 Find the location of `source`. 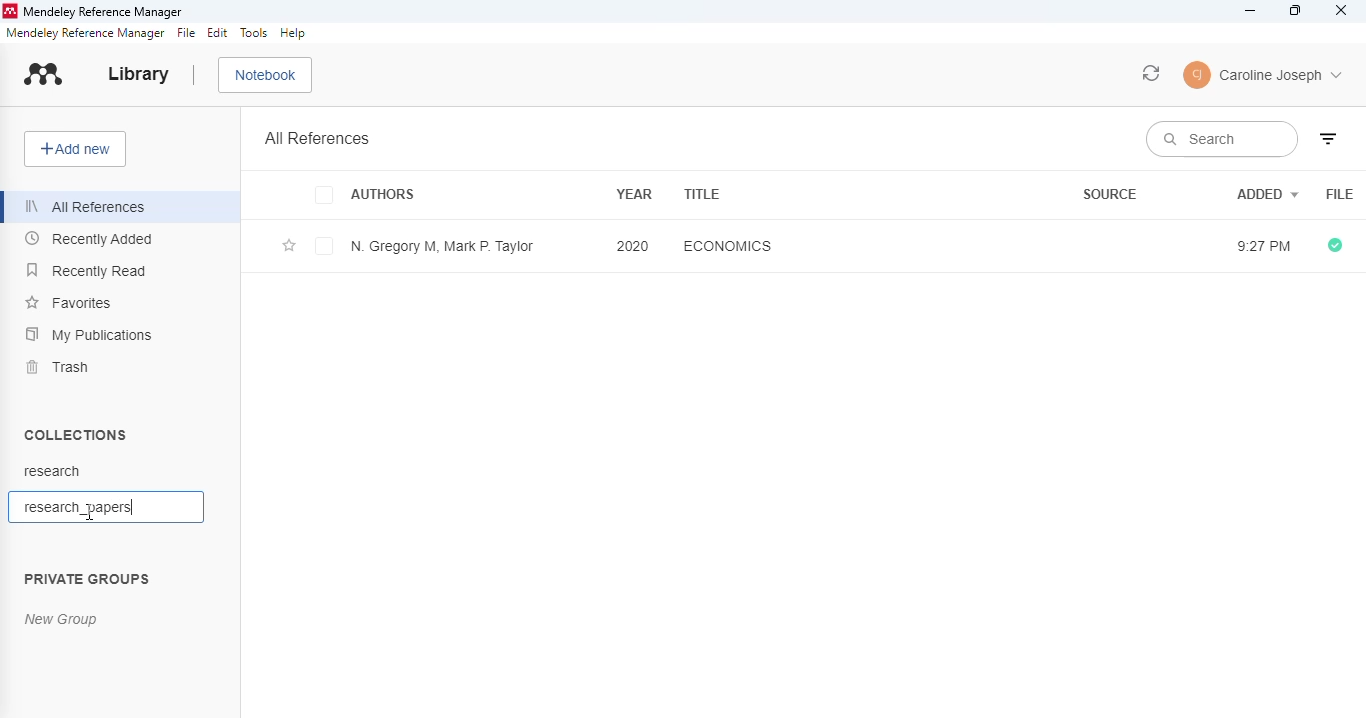

source is located at coordinates (1110, 194).